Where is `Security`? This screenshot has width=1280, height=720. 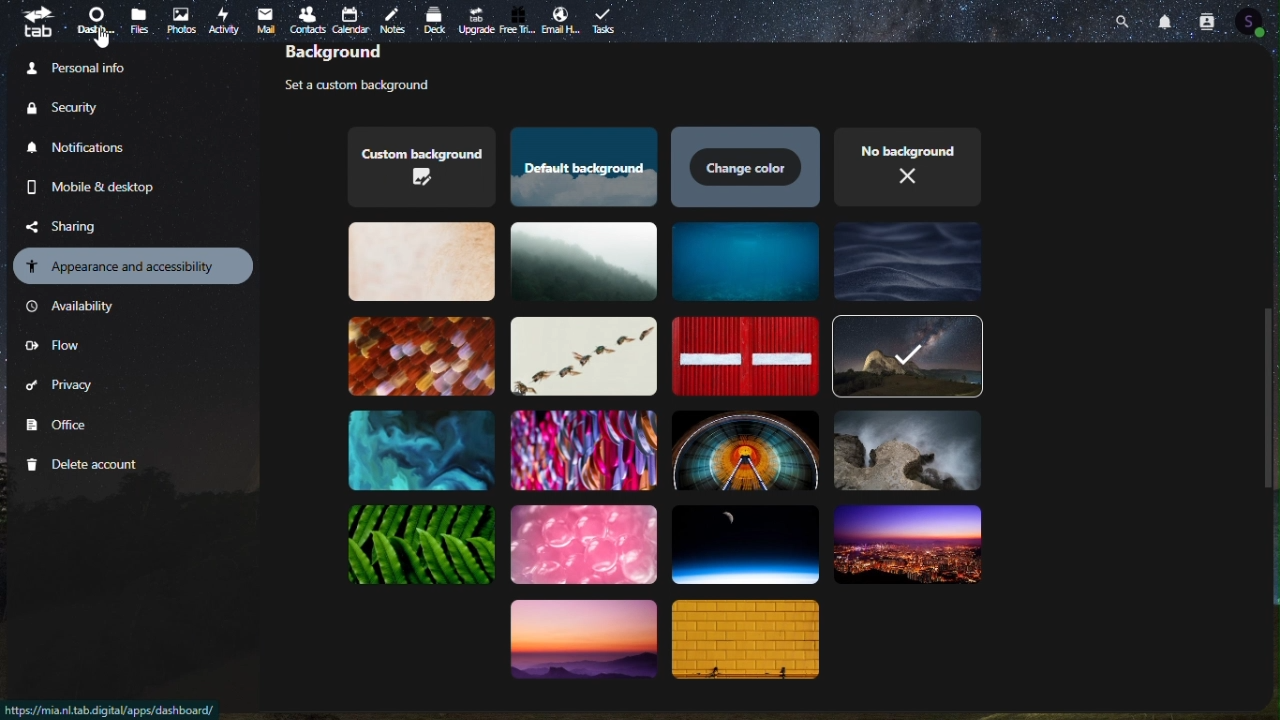 Security is located at coordinates (81, 107).